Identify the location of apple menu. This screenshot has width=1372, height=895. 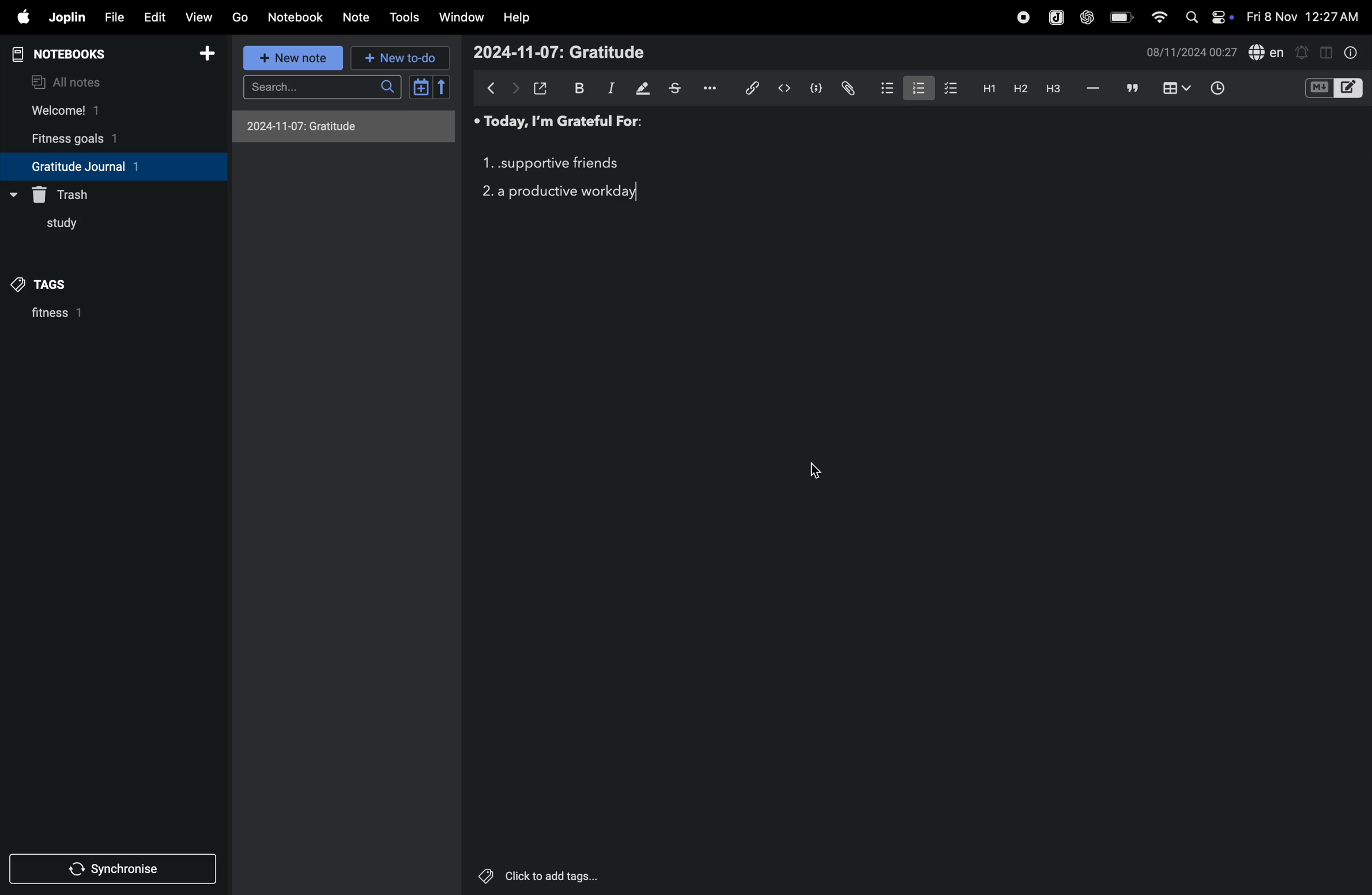
(18, 17).